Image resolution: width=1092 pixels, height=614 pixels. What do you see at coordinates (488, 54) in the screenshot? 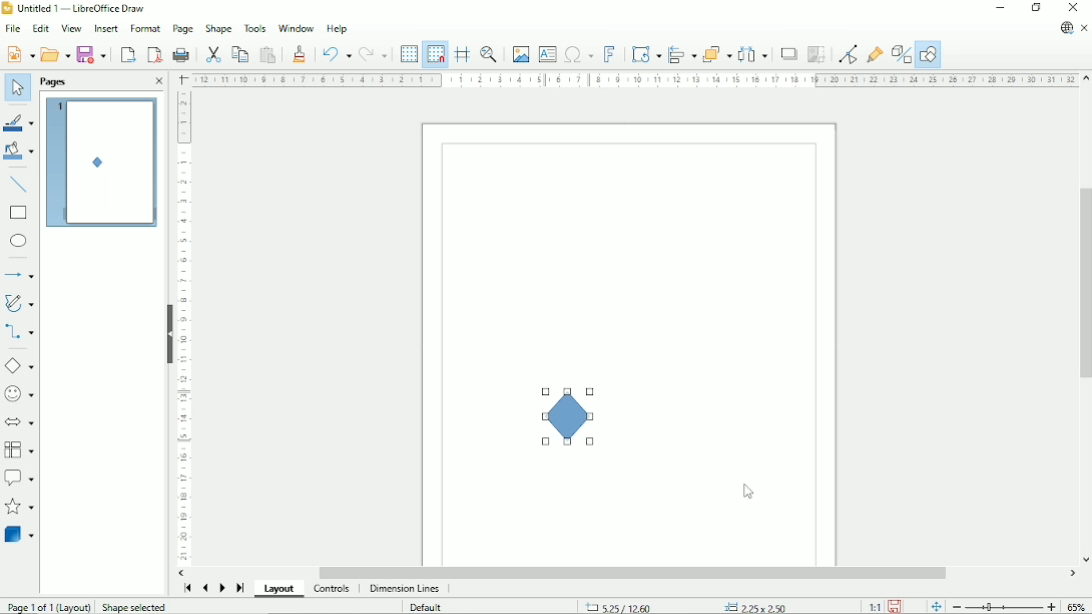
I see `Zoom & pan` at bounding box center [488, 54].